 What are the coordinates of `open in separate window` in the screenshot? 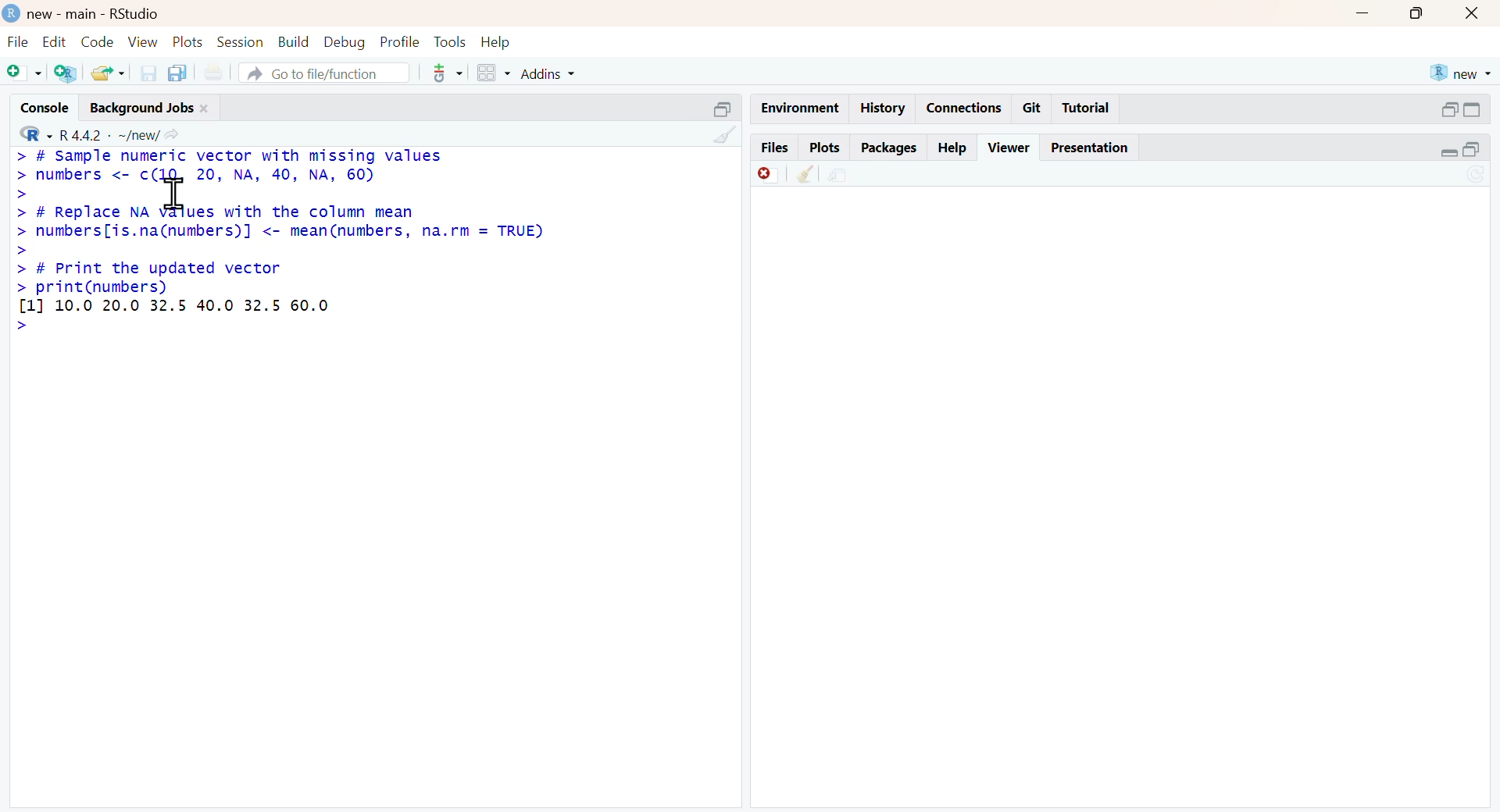 It's located at (724, 109).